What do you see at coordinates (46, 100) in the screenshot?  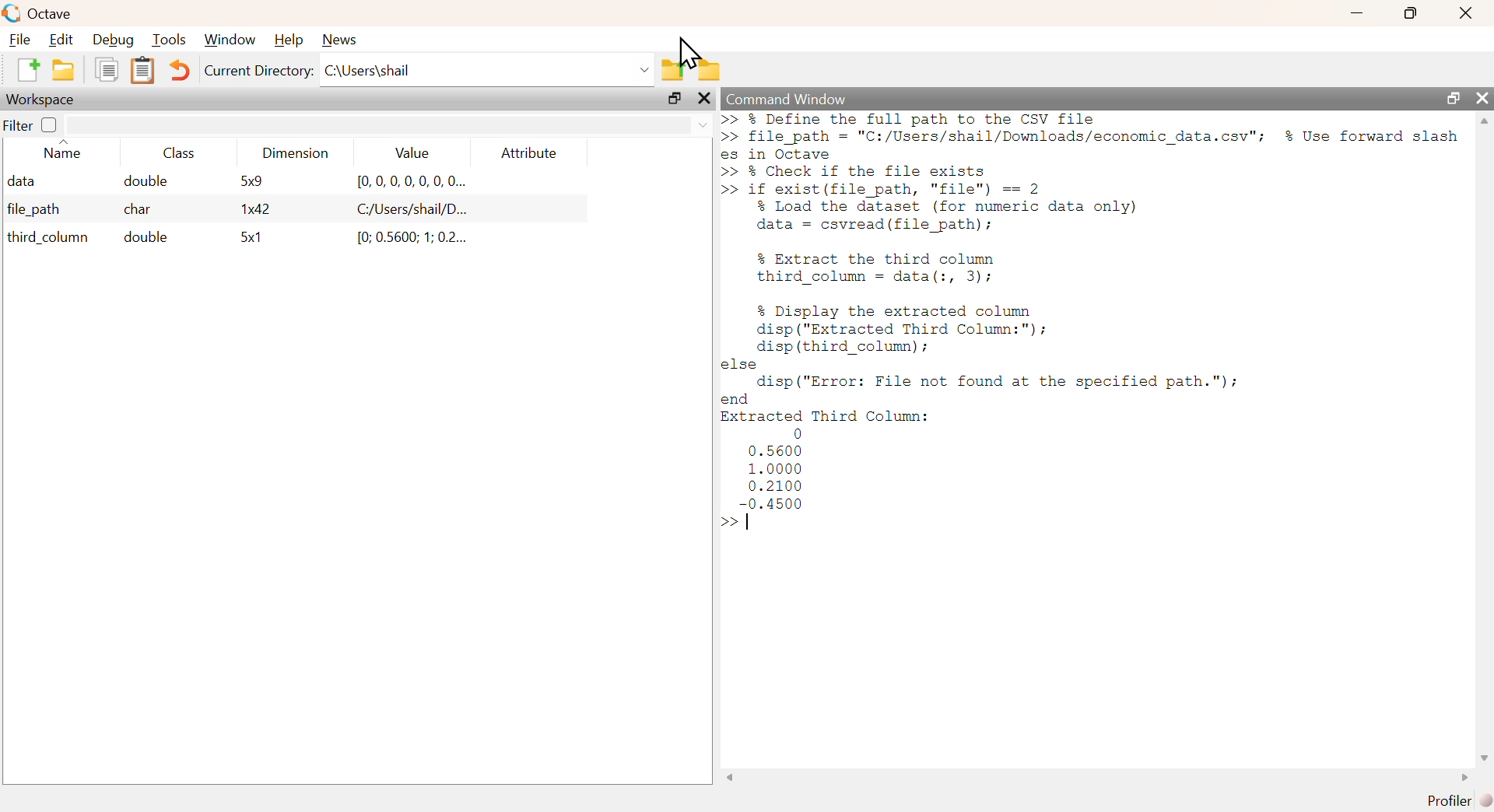 I see `workspace` at bounding box center [46, 100].